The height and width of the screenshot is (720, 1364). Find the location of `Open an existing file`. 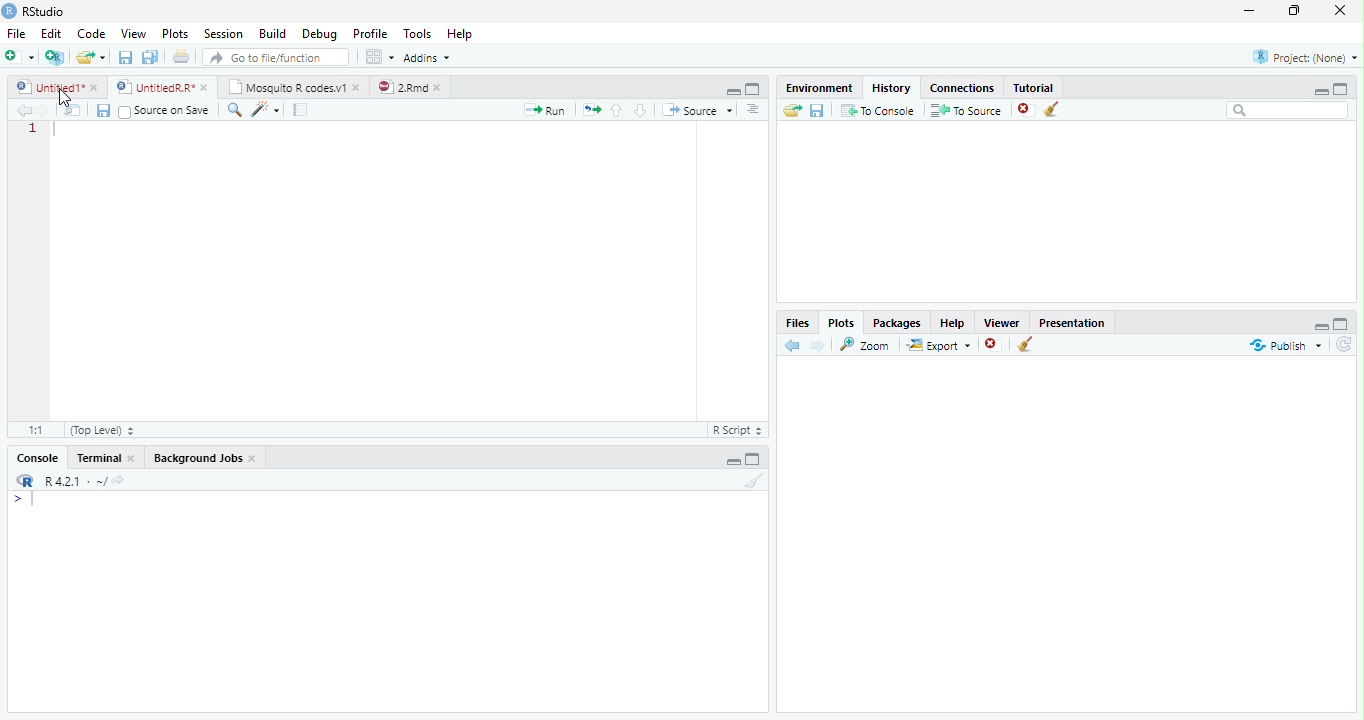

Open an existing file is located at coordinates (91, 56).